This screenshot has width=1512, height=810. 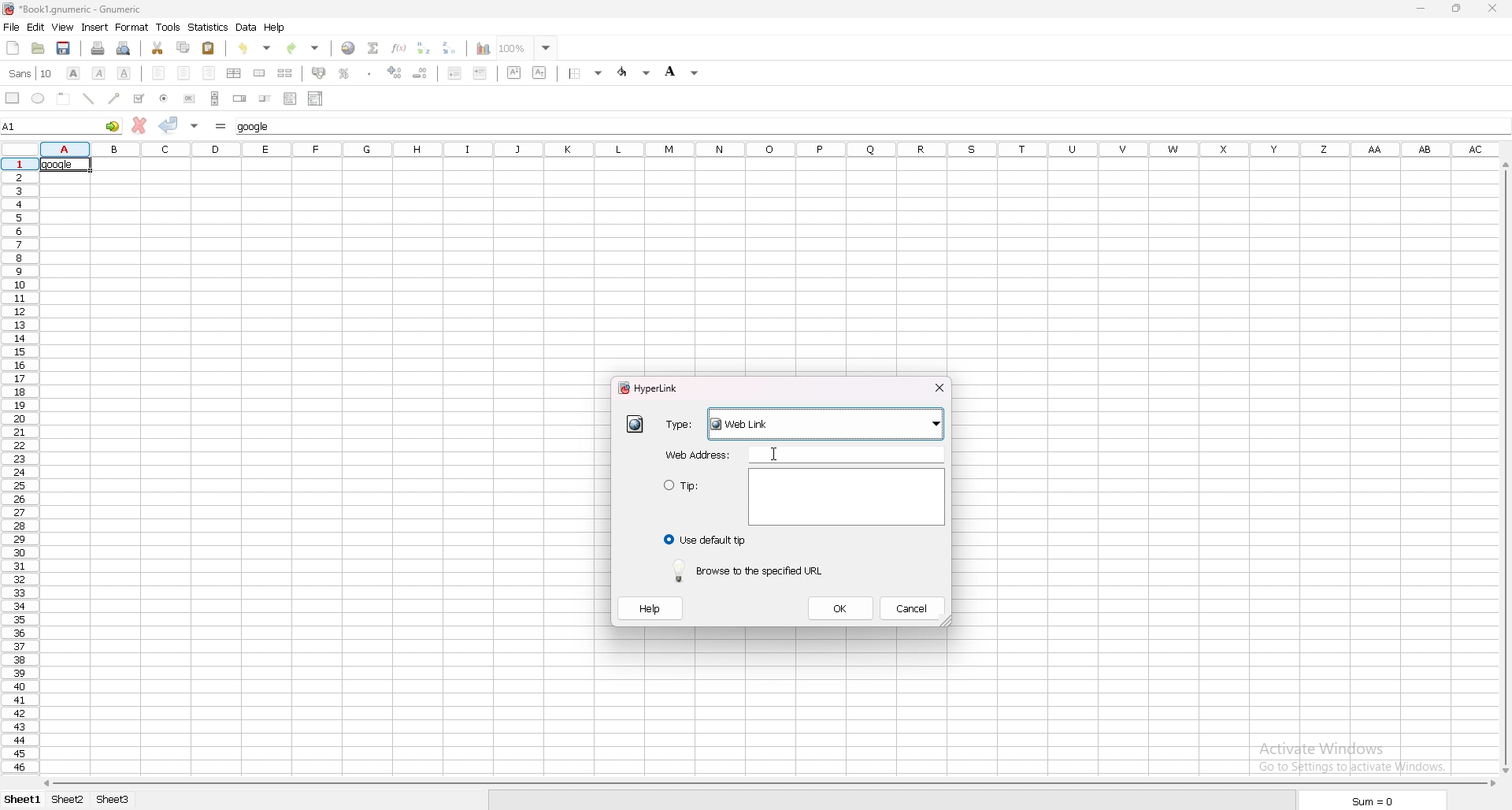 What do you see at coordinates (168, 27) in the screenshot?
I see `tools` at bounding box center [168, 27].